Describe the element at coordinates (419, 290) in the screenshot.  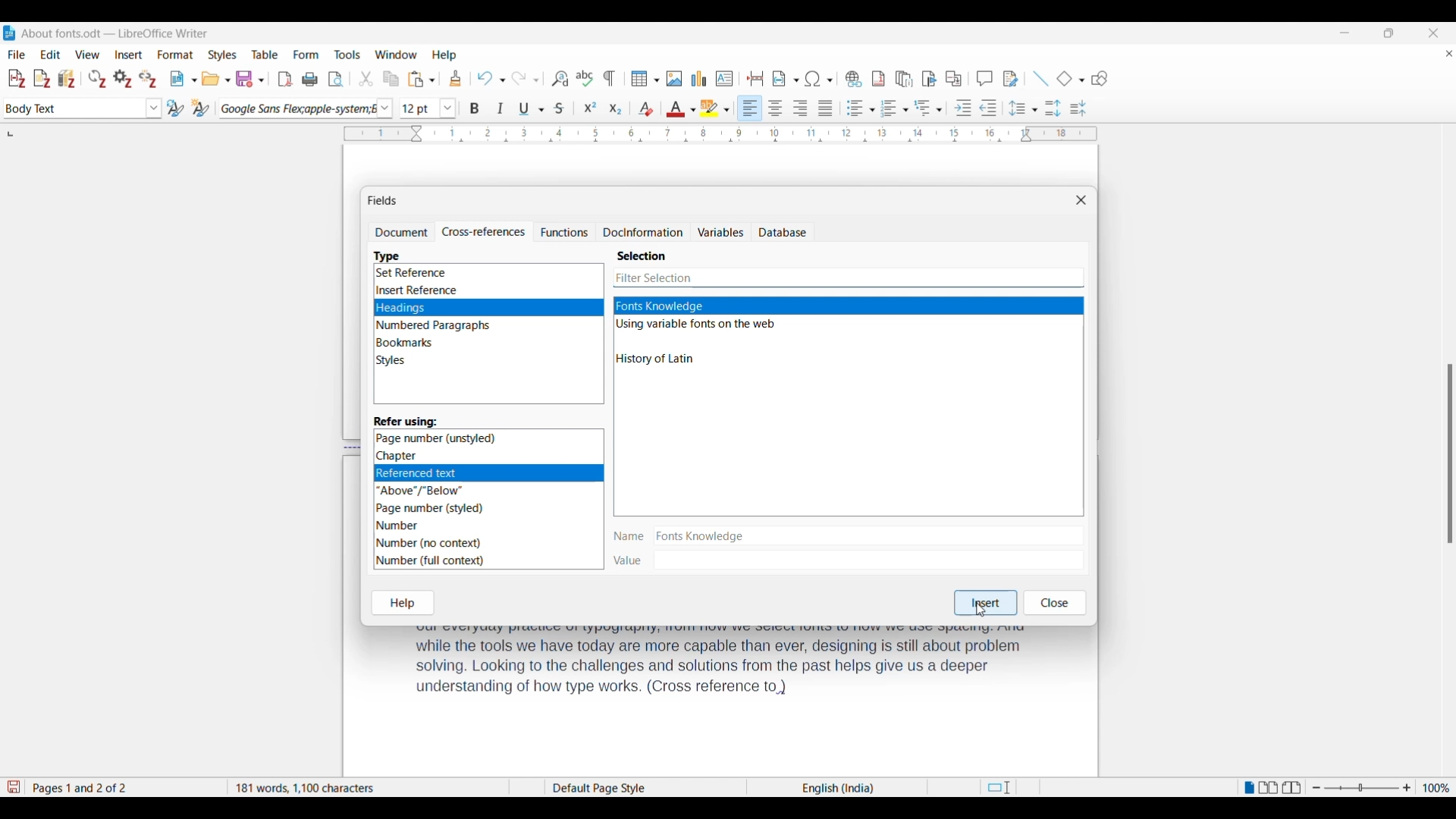
I see `Insert Reference` at that location.